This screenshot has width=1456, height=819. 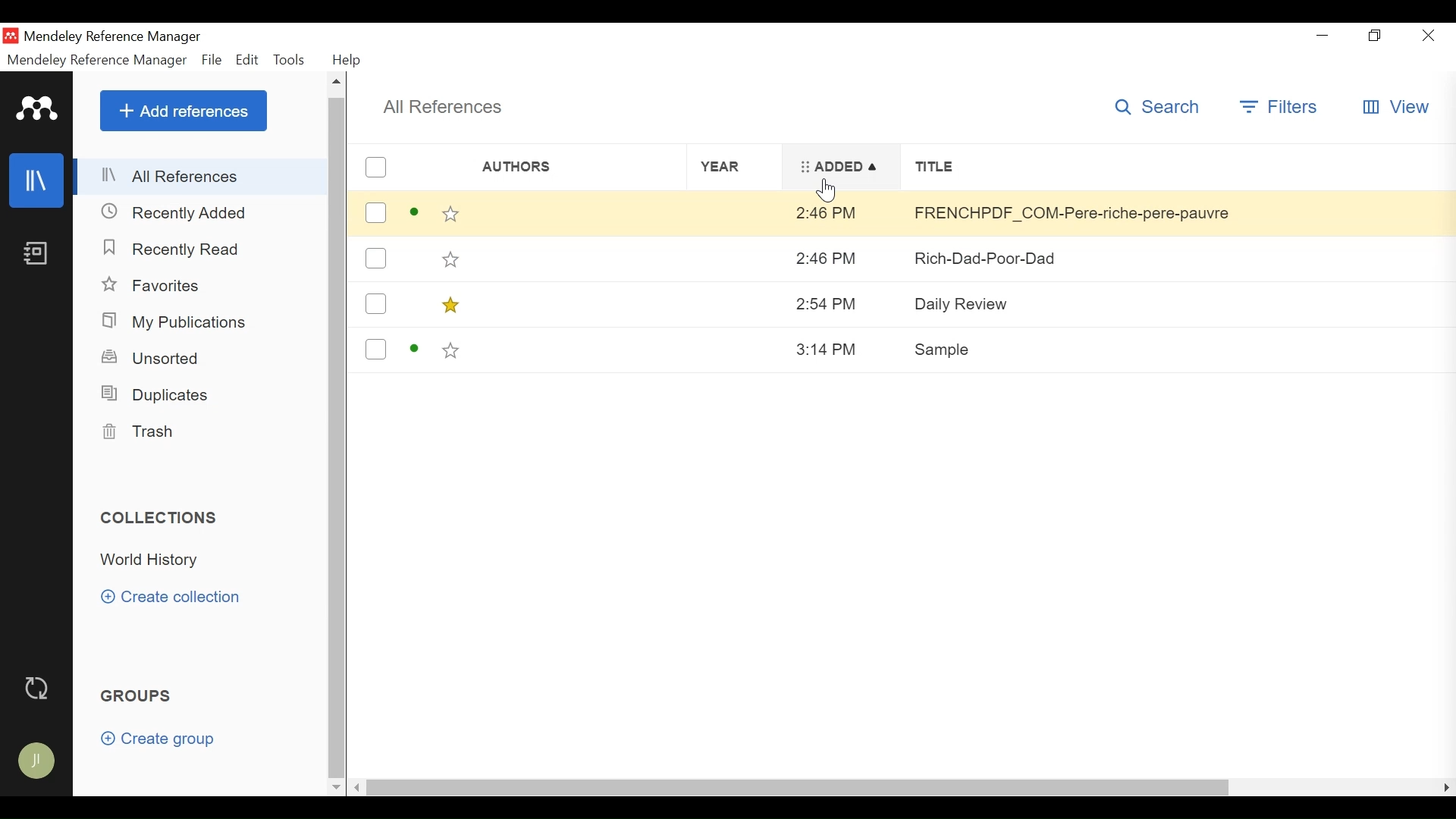 What do you see at coordinates (375, 350) in the screenshot?
I see `(un)select` at bounding box center [375, 350].